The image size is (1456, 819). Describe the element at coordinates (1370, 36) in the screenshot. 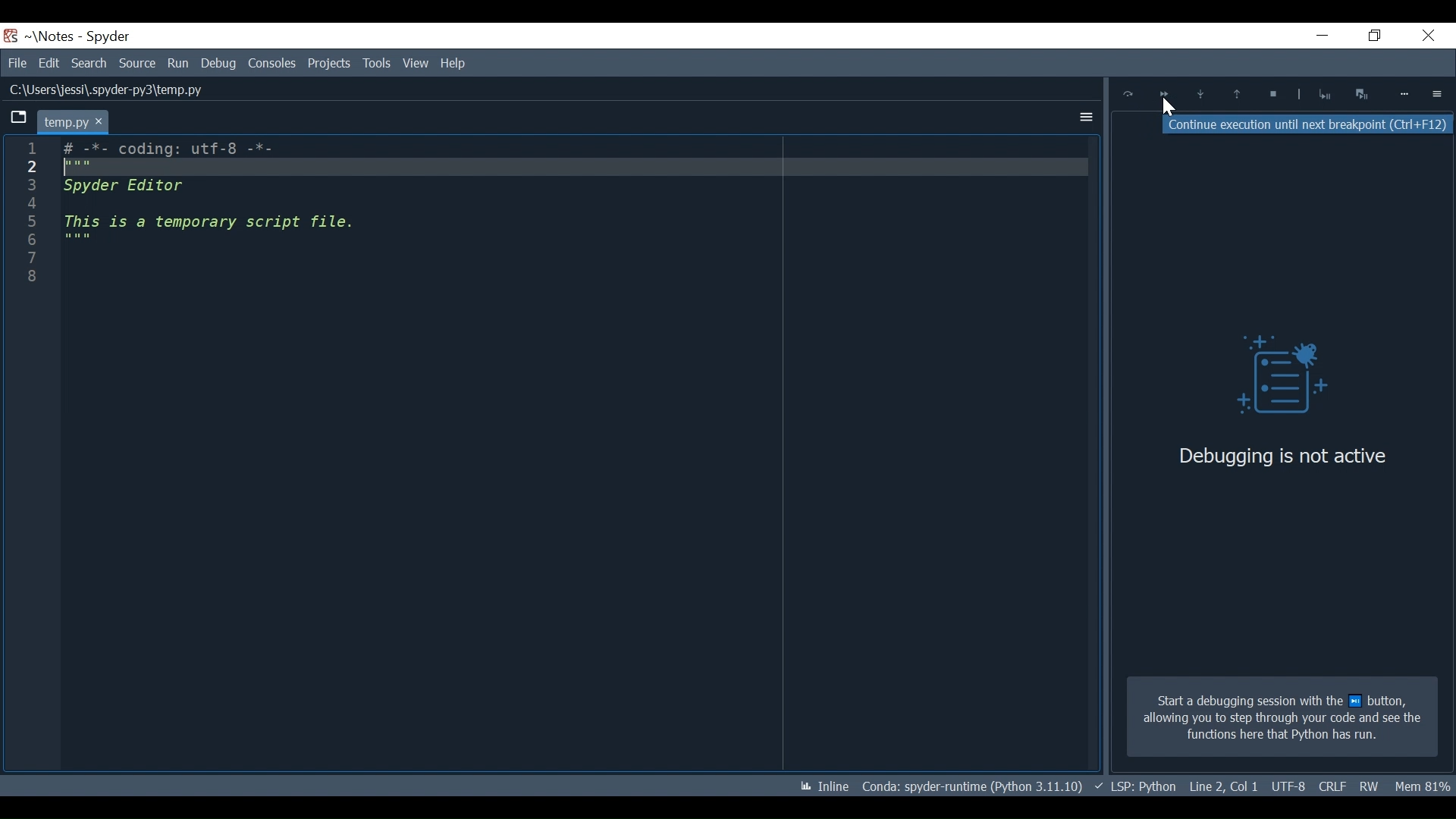

I see `Restore` at that location.